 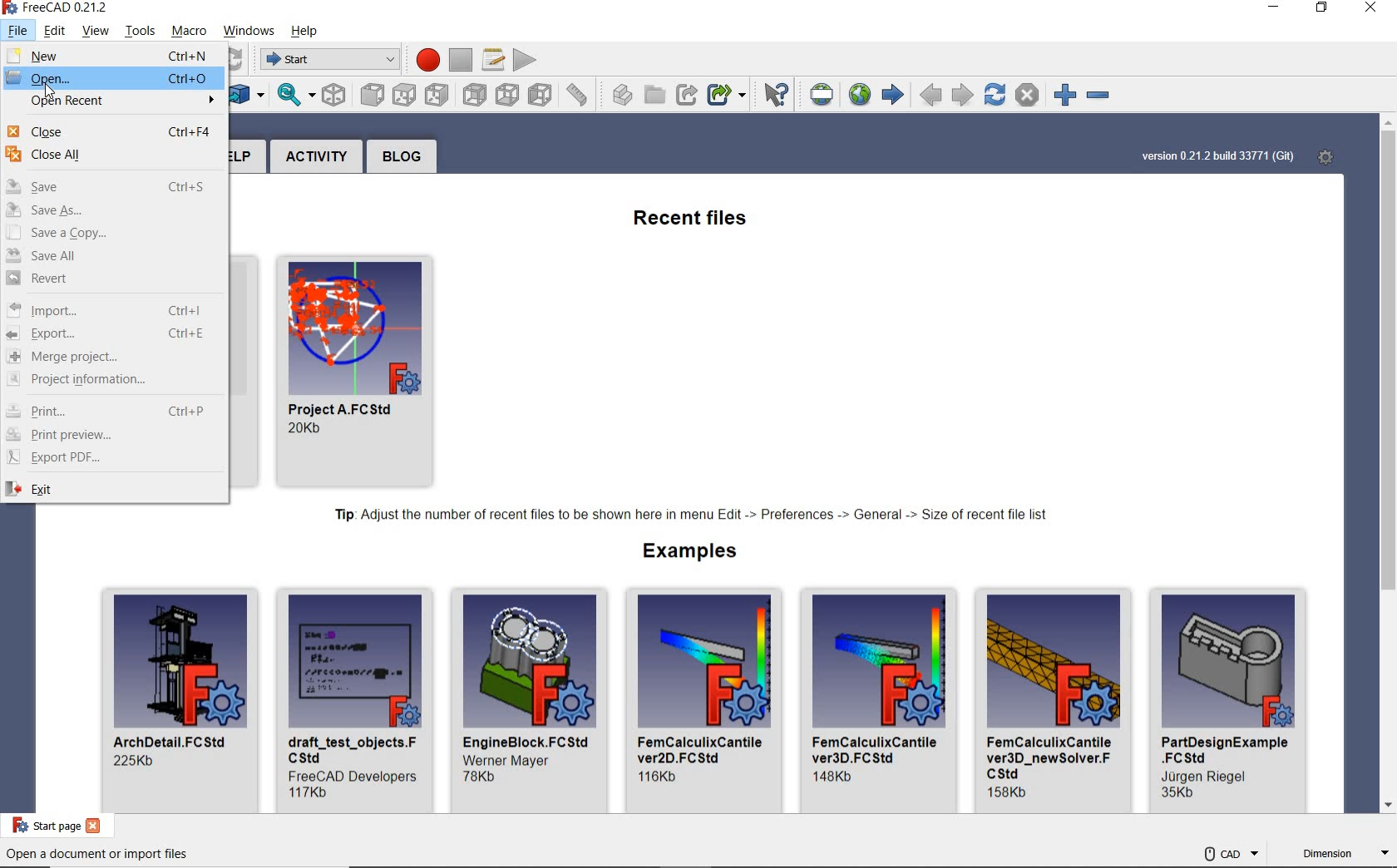 What do you see at coordinates (879, 749) in the screenshot?
I see `name` at bounding box center [879, 749].